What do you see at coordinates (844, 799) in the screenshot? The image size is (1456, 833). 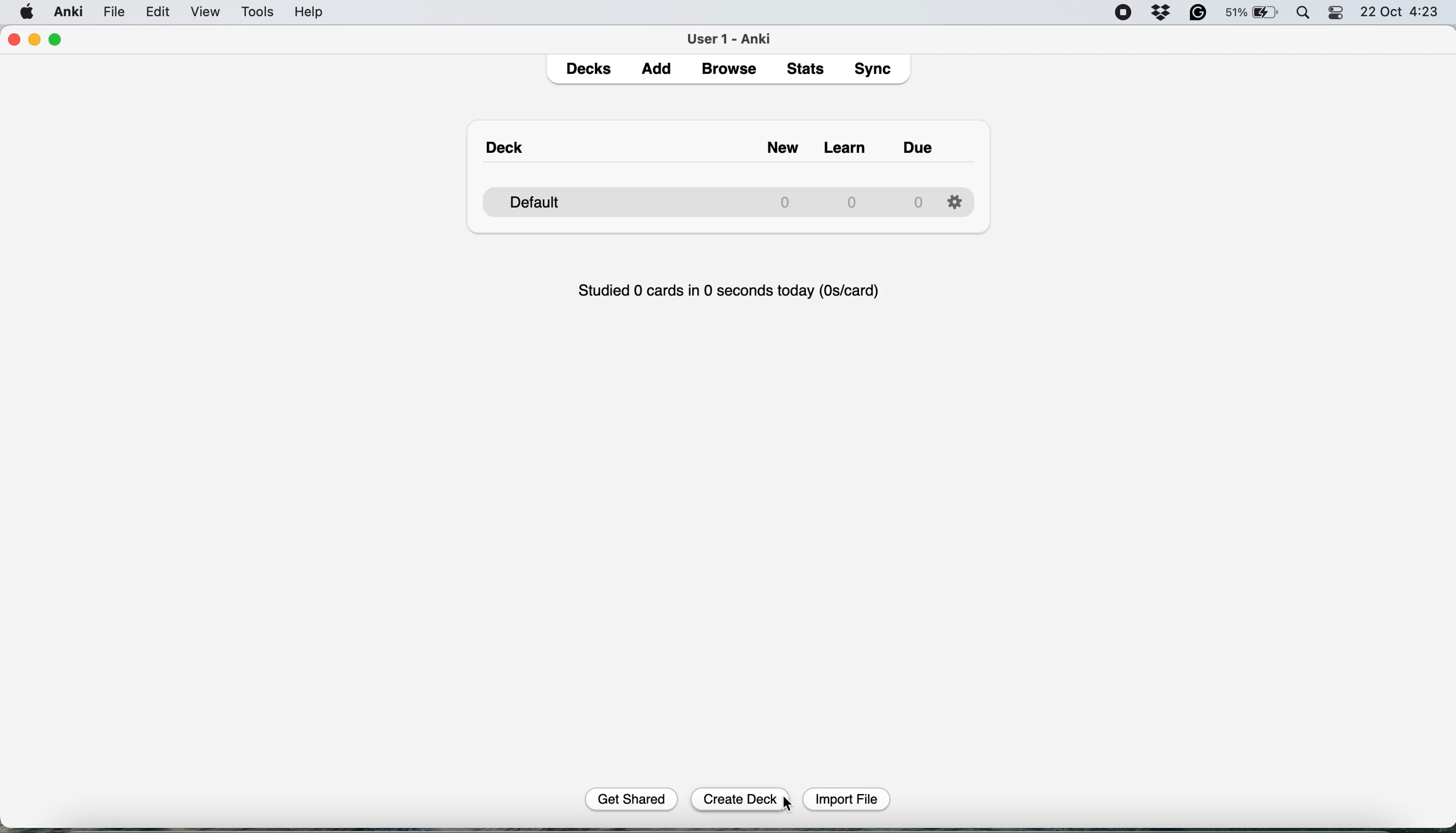 I see `import file` at bounding box center [844, 799].